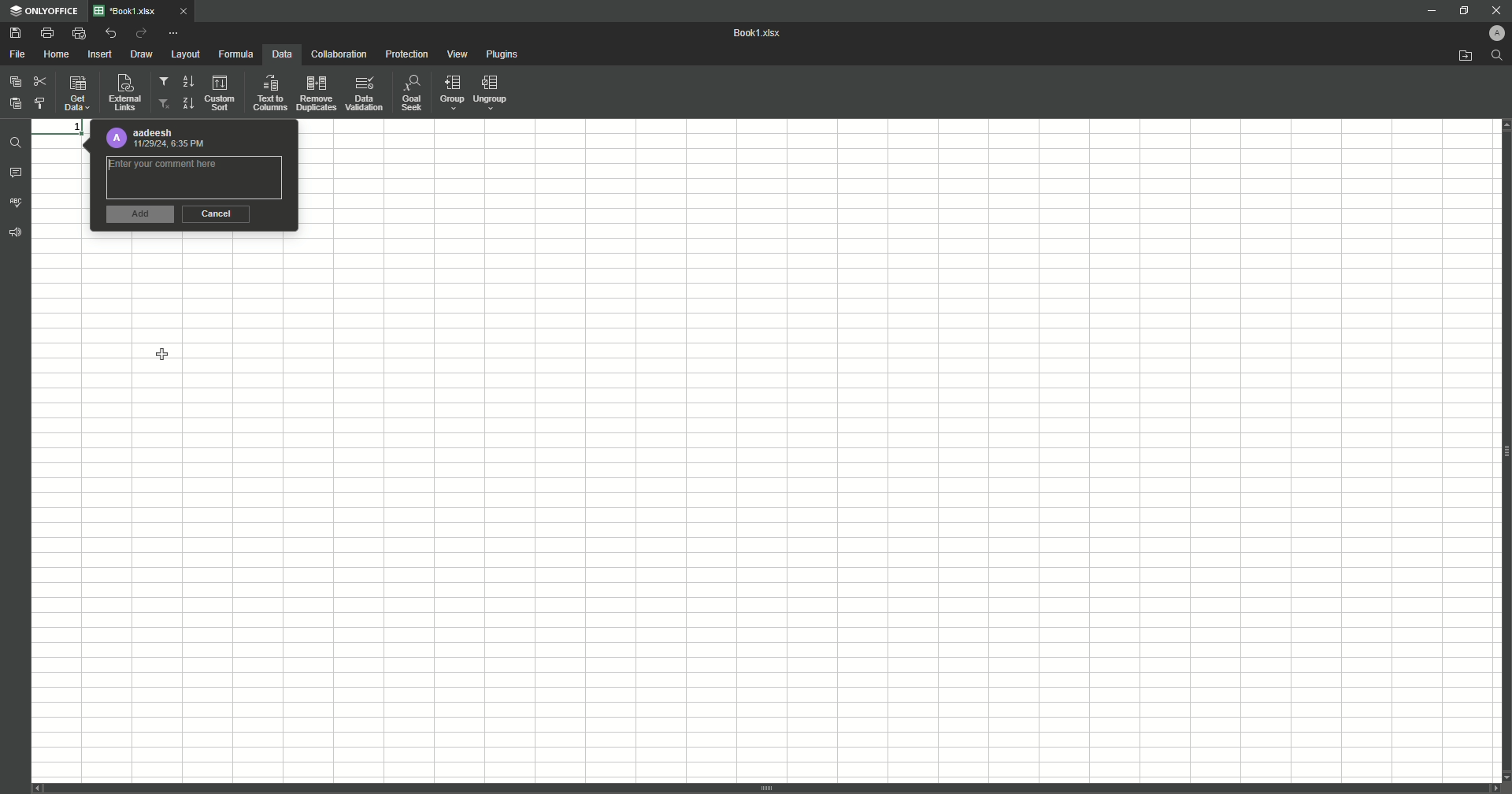  Describe the element at coordinates (16, 81) in the screenshot. I see `Paste` at that location.